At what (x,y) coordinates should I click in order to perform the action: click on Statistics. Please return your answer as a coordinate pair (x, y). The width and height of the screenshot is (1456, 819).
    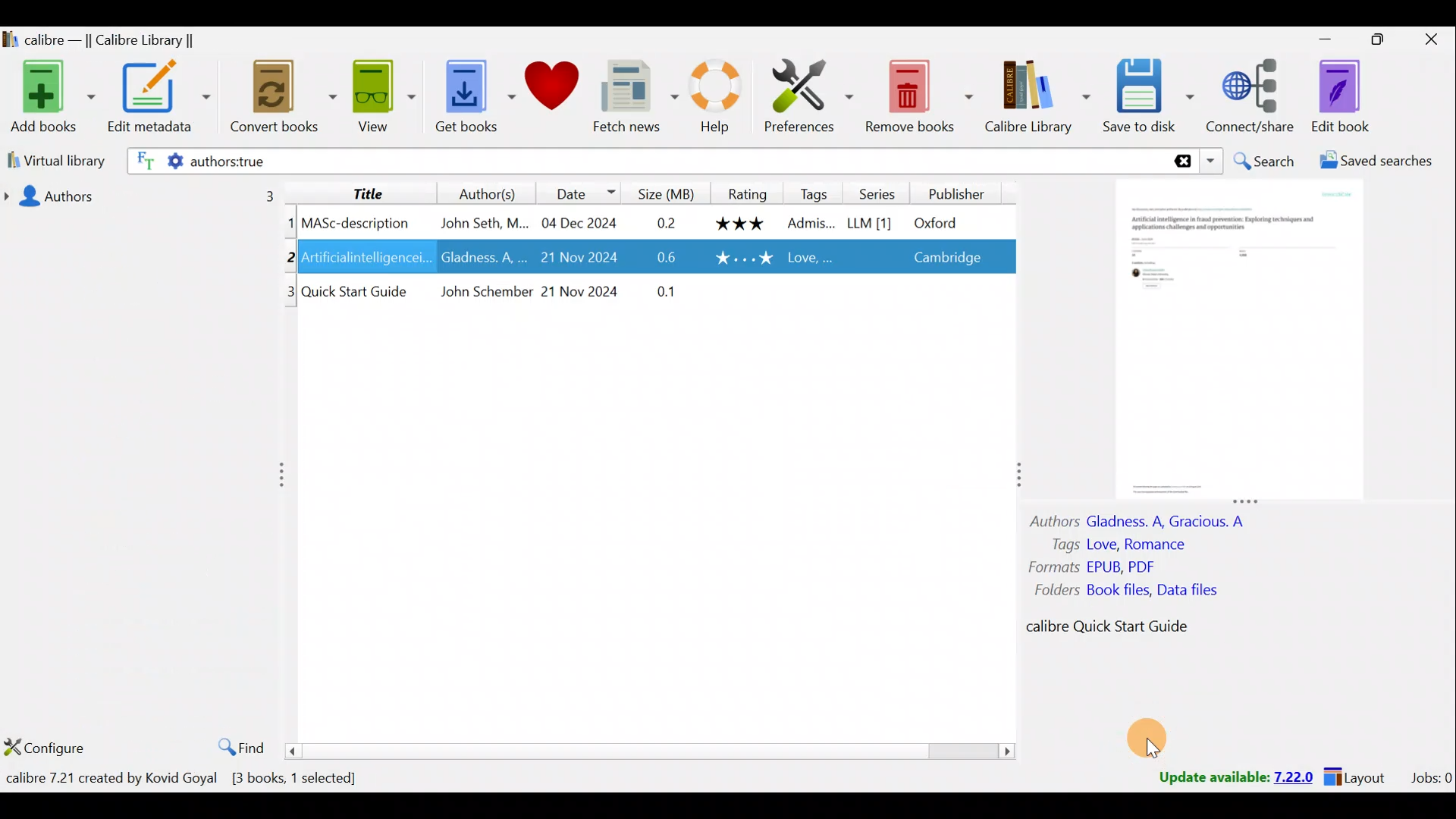
    Looking at the image, I should click on (210, 777).